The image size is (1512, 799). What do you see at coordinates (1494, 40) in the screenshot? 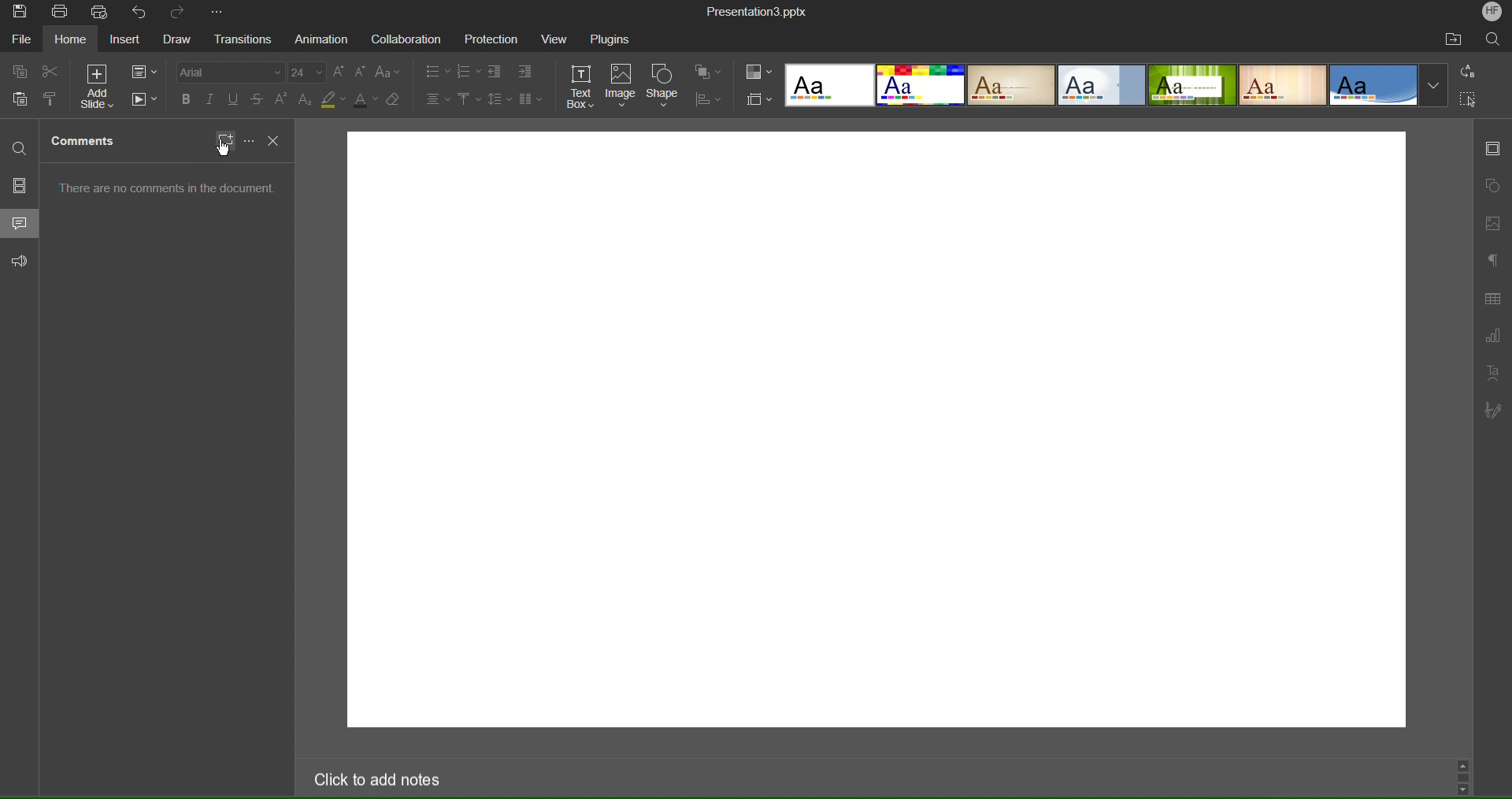
I see `Search` at bounding box center [1494, 40].